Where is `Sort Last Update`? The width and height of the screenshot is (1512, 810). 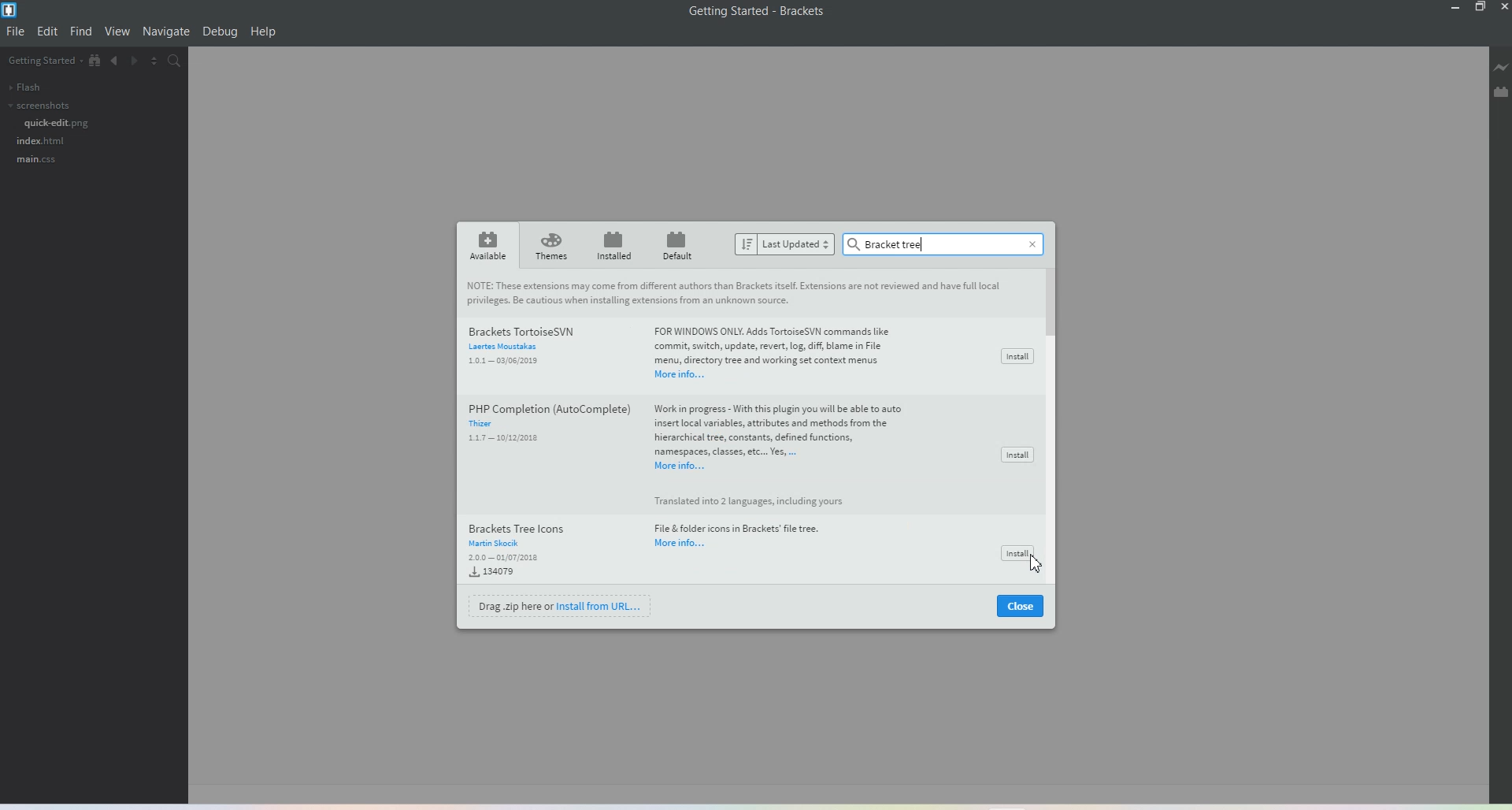
Sort Last Update is located at coordinates (785, 244).